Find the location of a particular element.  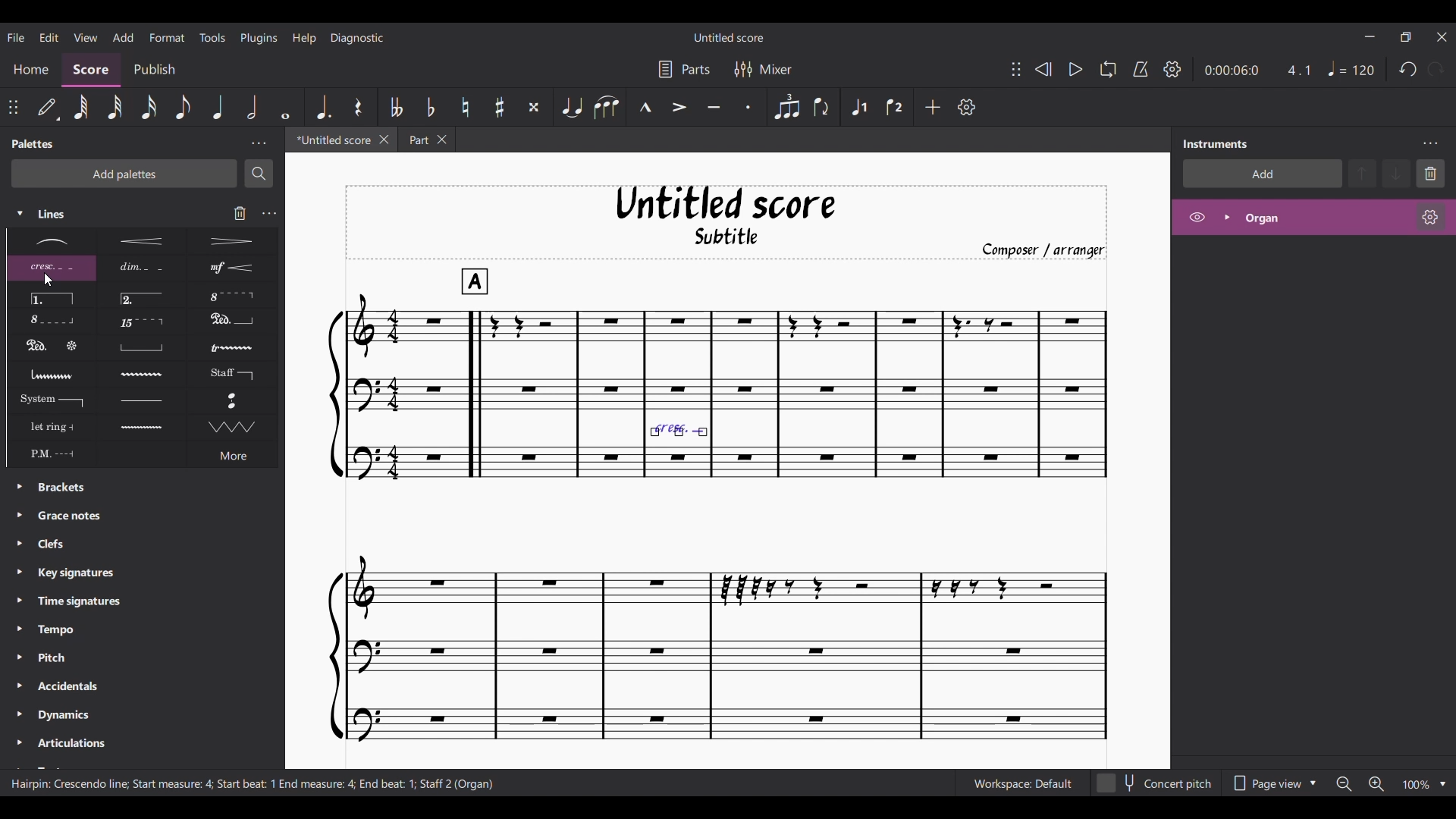

Selection in Line palette added to selection on score is located at coordinates (678, 413).